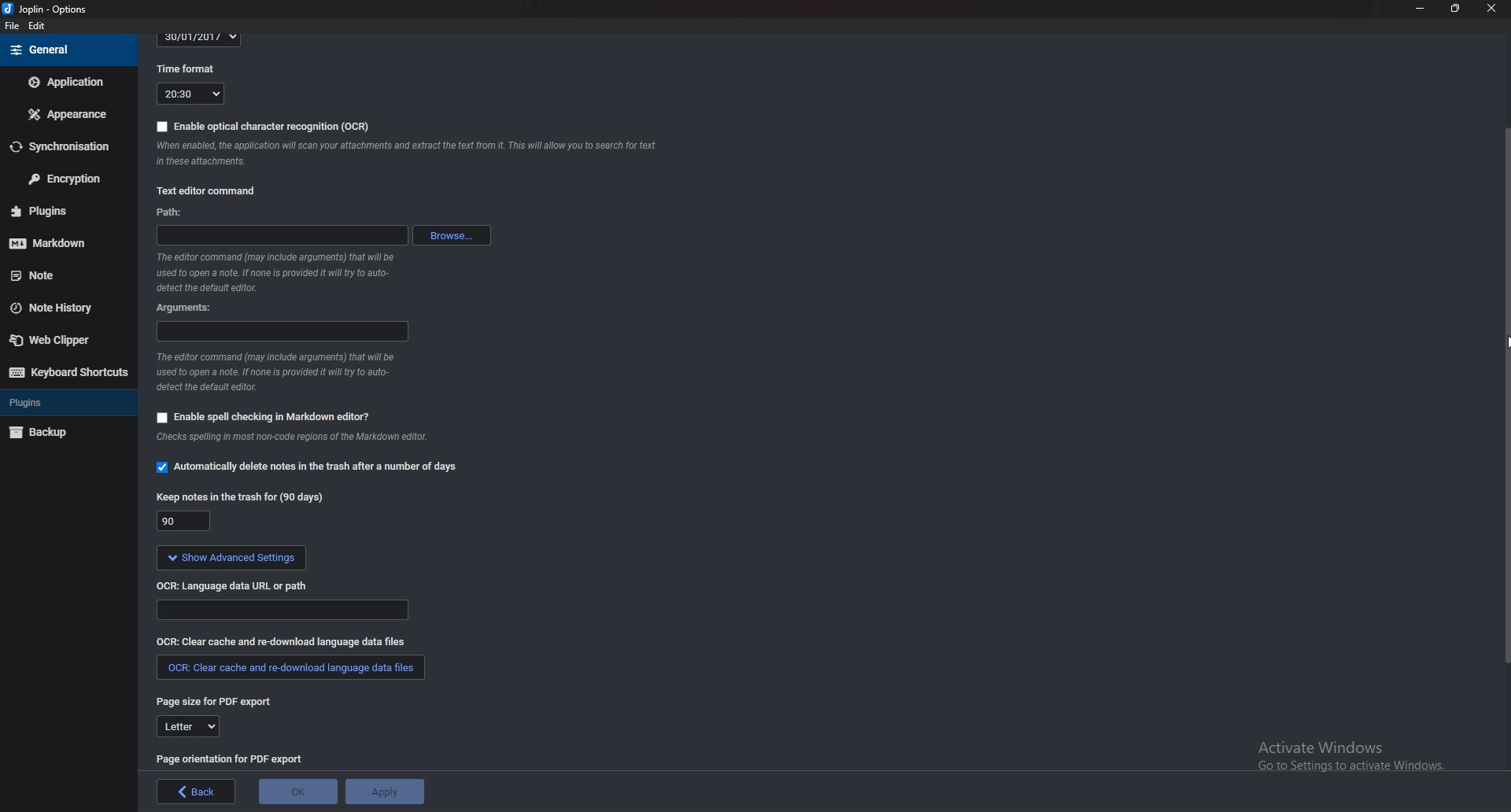 The image size is (1511, 812). What do you see at coordinates (1420, 8) in the screenshot?
I see `Minimize` at bounding box center [1420, 8].